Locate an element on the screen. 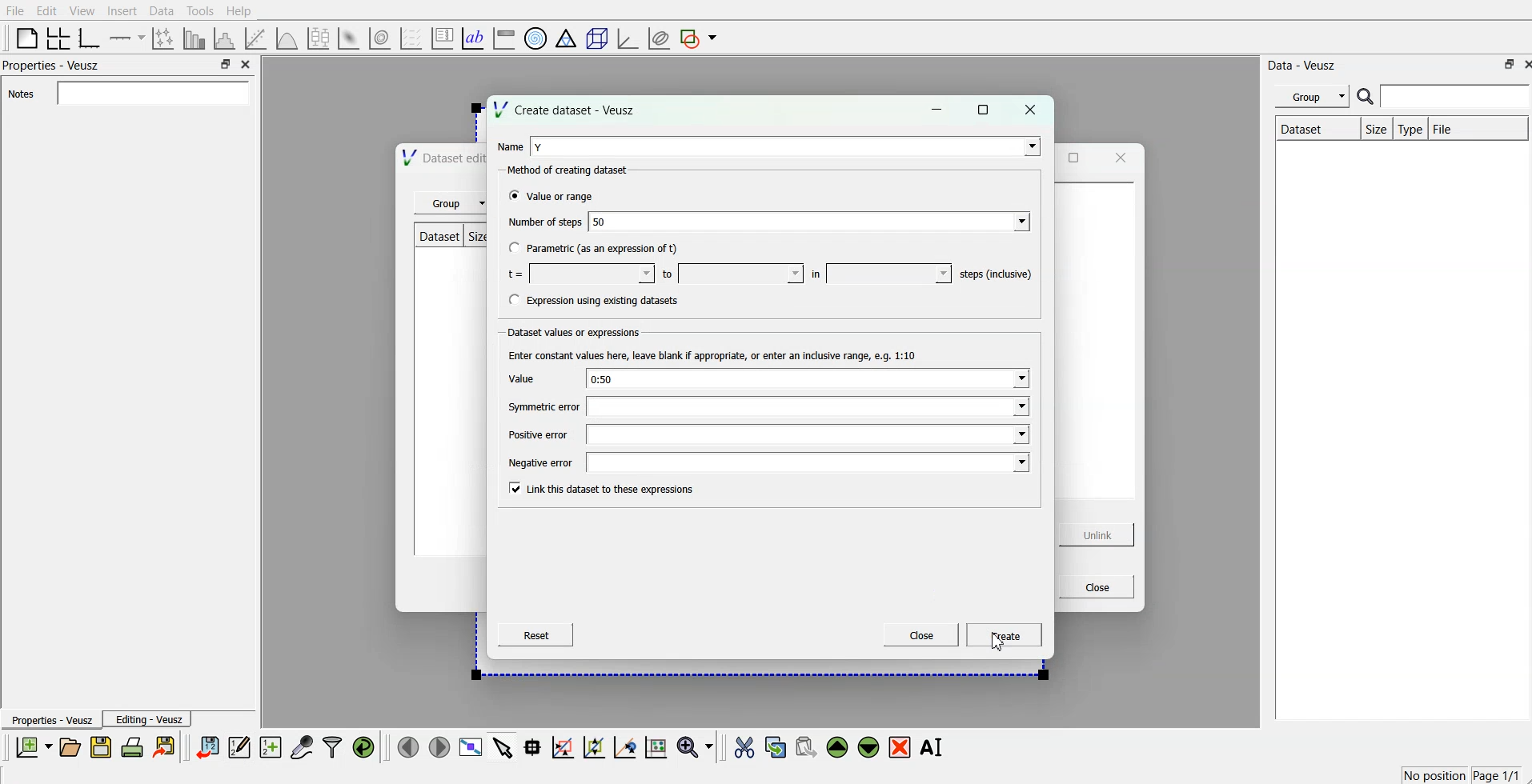 The height and width of the screenshot is (784, 1532). histogram is located at coordinates (226, 37).